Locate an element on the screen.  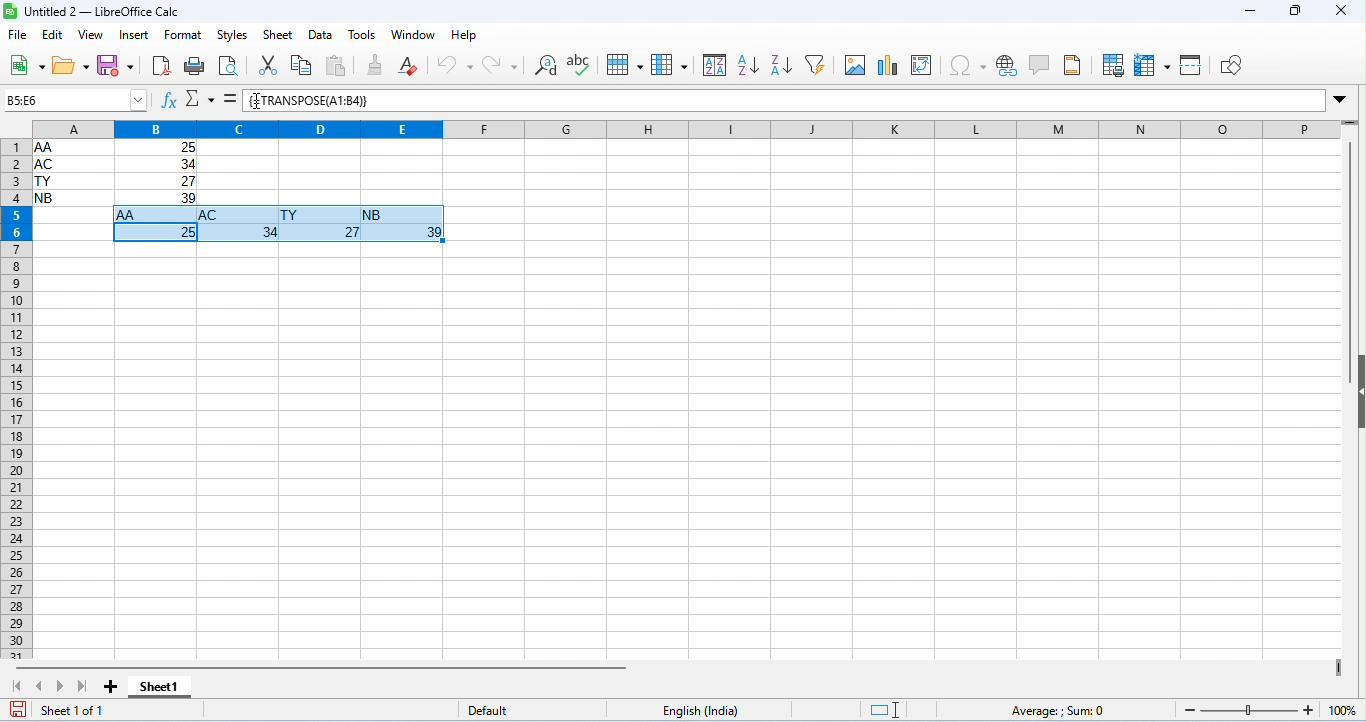
view is located at coordinates (90, 36).